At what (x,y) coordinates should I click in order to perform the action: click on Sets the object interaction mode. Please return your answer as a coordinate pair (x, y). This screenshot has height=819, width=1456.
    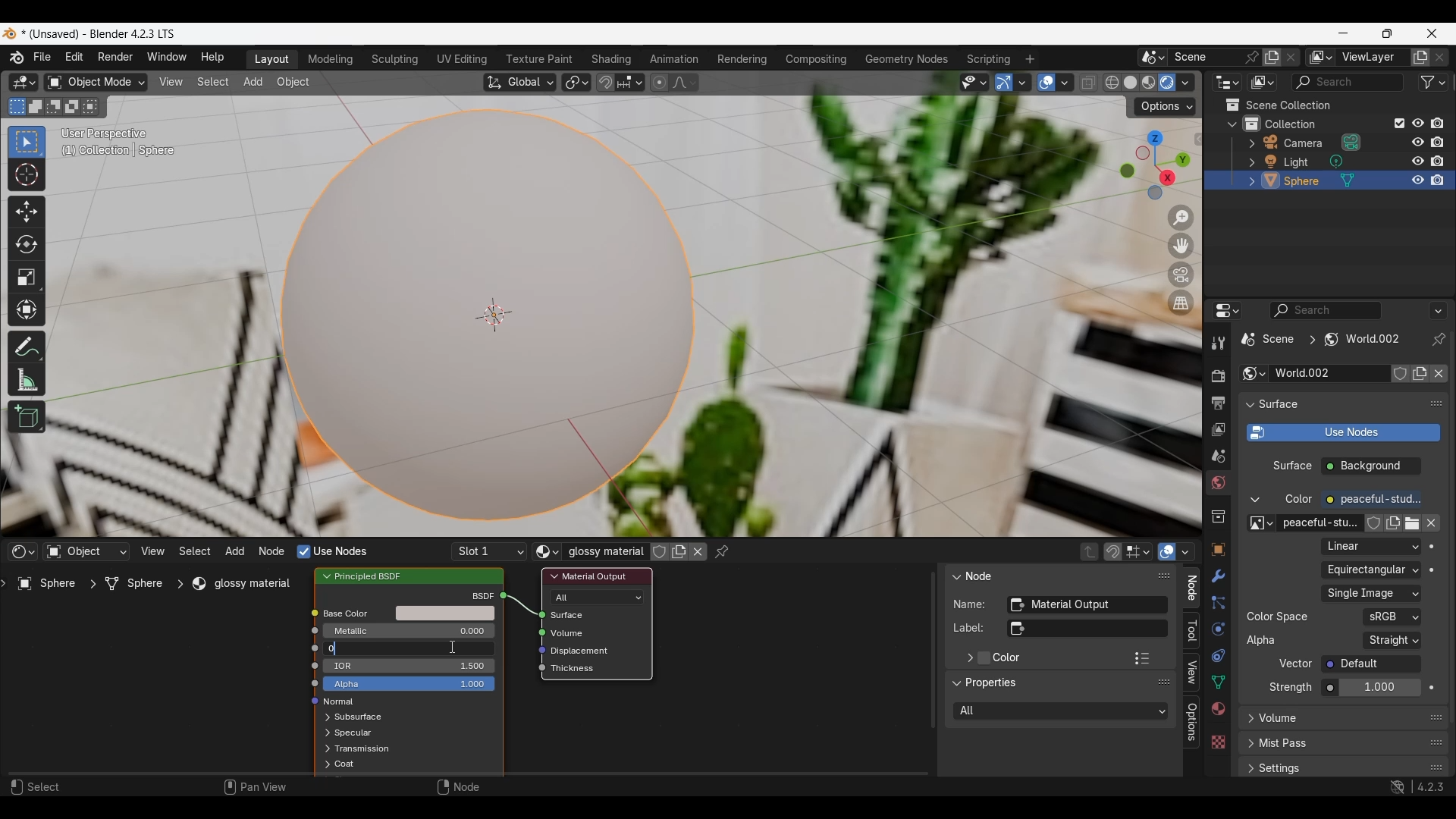
    Looking at the image, I should click on (96, 82).